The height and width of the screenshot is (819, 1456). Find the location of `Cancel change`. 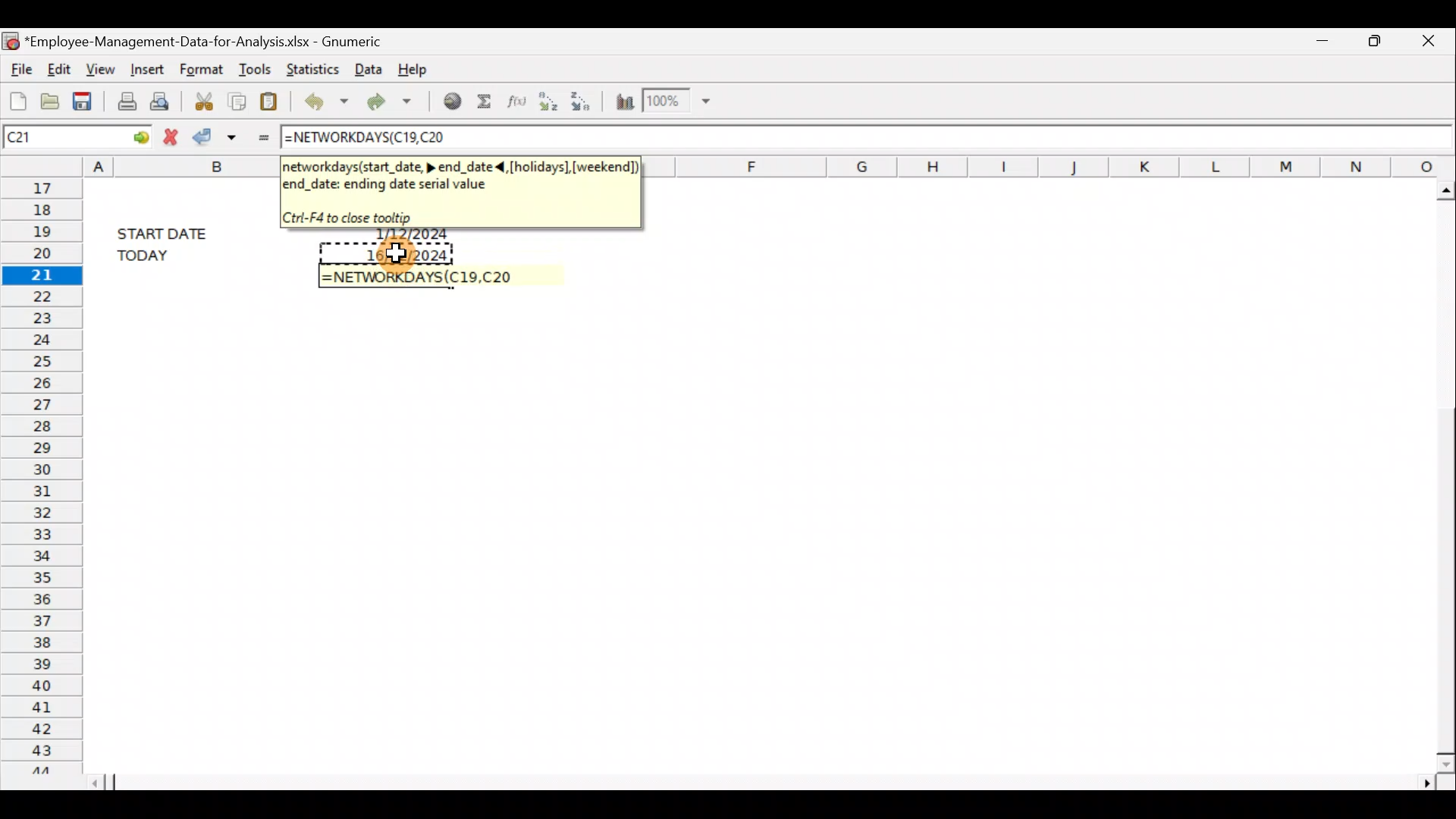

Cancel change is located at coordinates (169, 136).